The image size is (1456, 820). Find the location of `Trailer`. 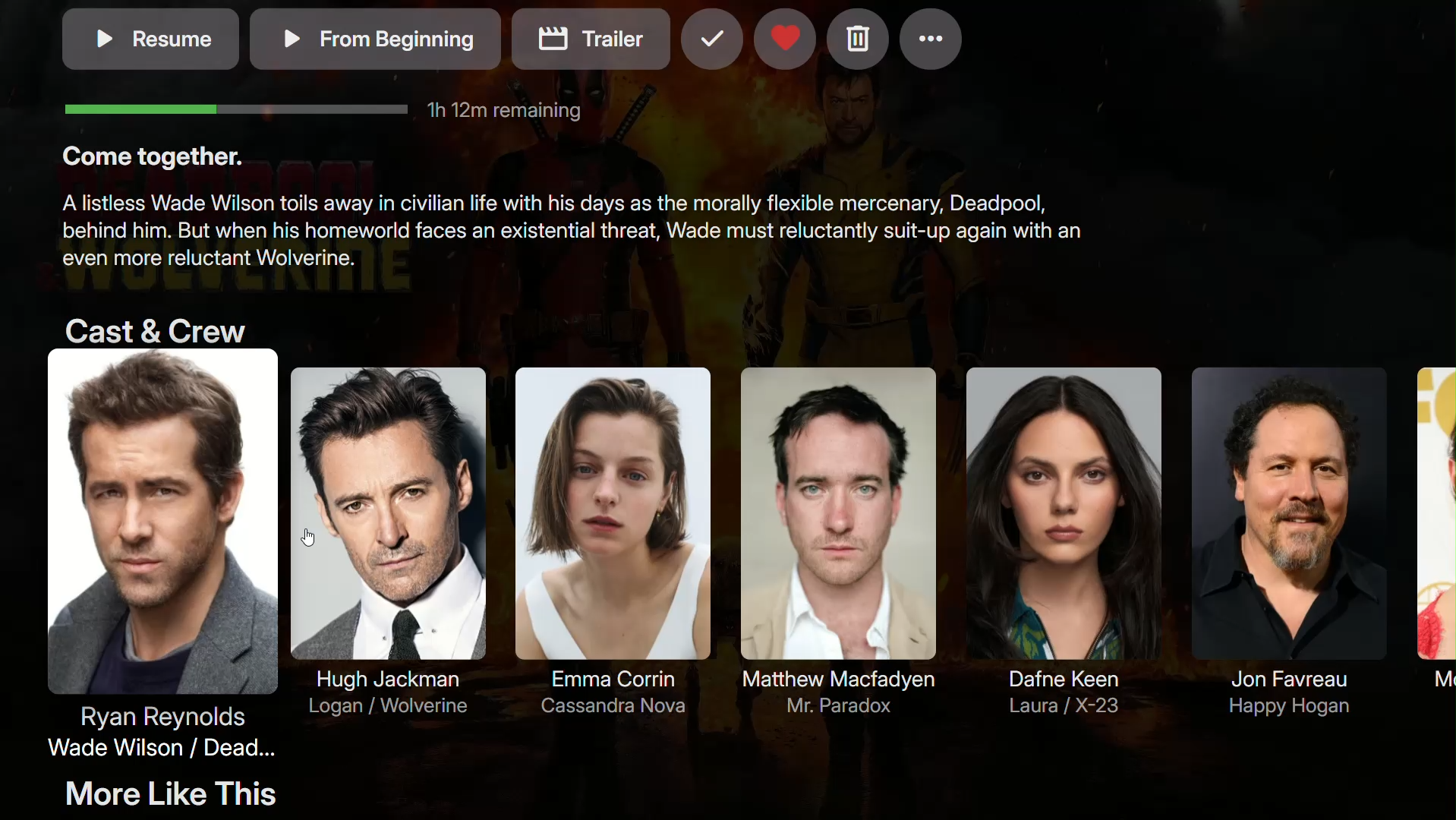

Trailer is located at coordinates (591, 39).